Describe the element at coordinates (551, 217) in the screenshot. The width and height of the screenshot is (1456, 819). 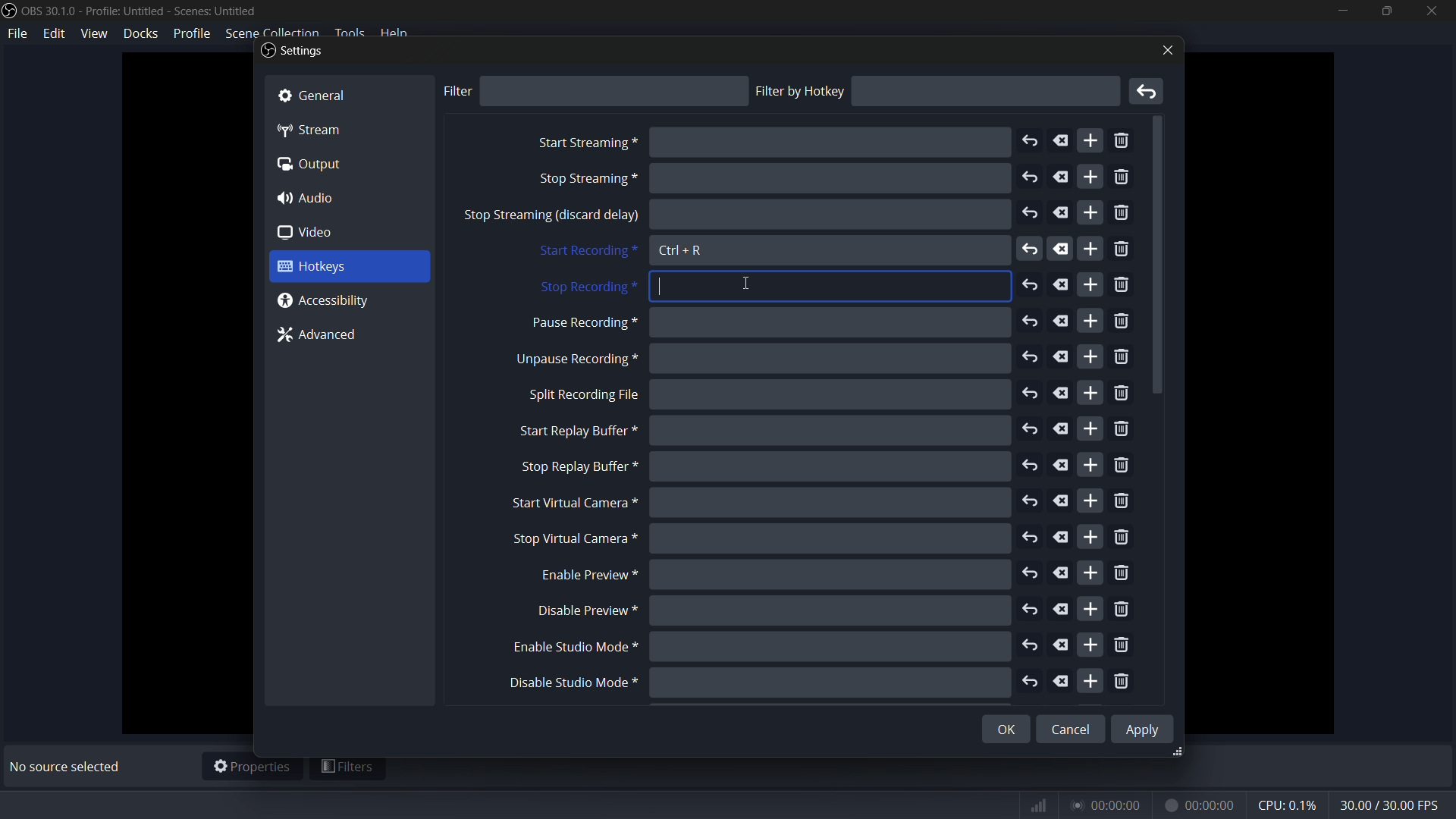
I see `stop sreaming` at that location.